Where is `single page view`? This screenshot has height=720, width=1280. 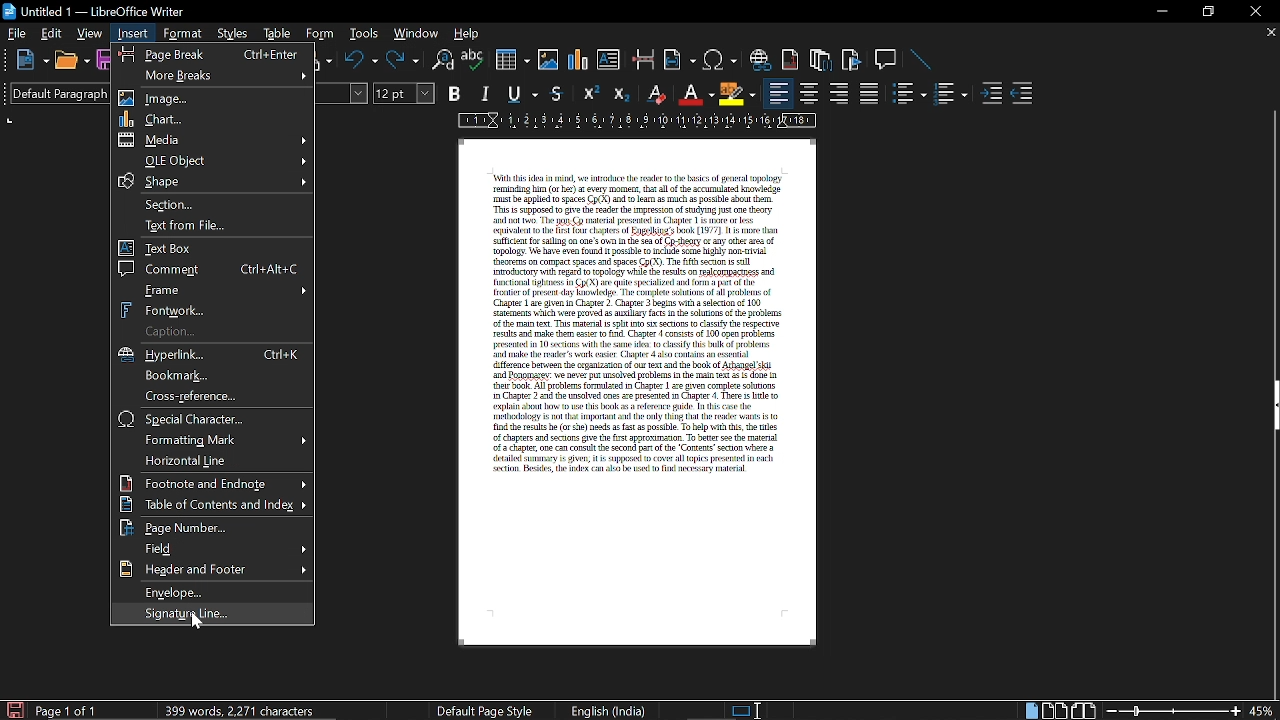
single page view is located at coordinates (1030, 711).